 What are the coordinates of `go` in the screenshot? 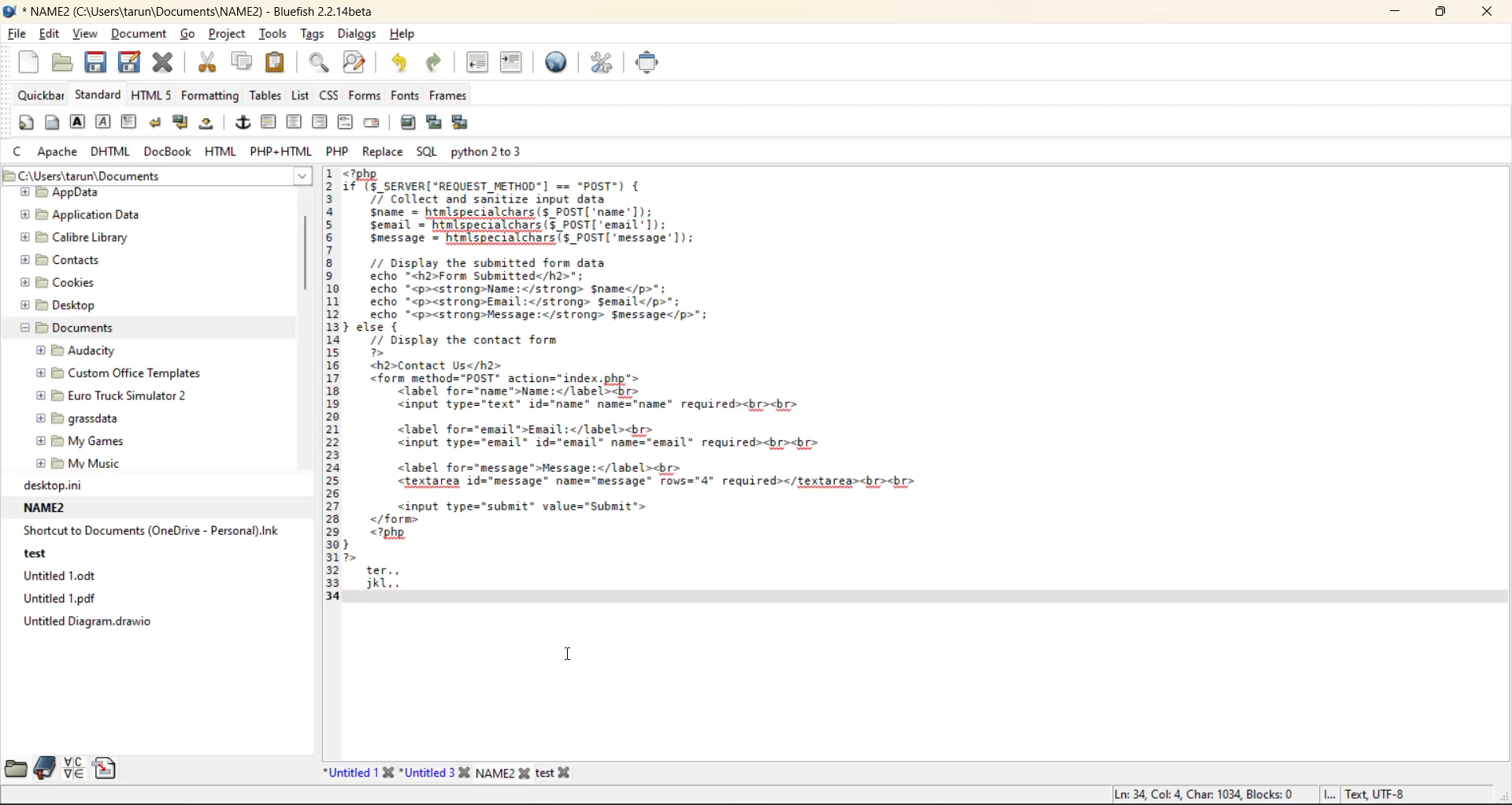 It's located at (187, 33).